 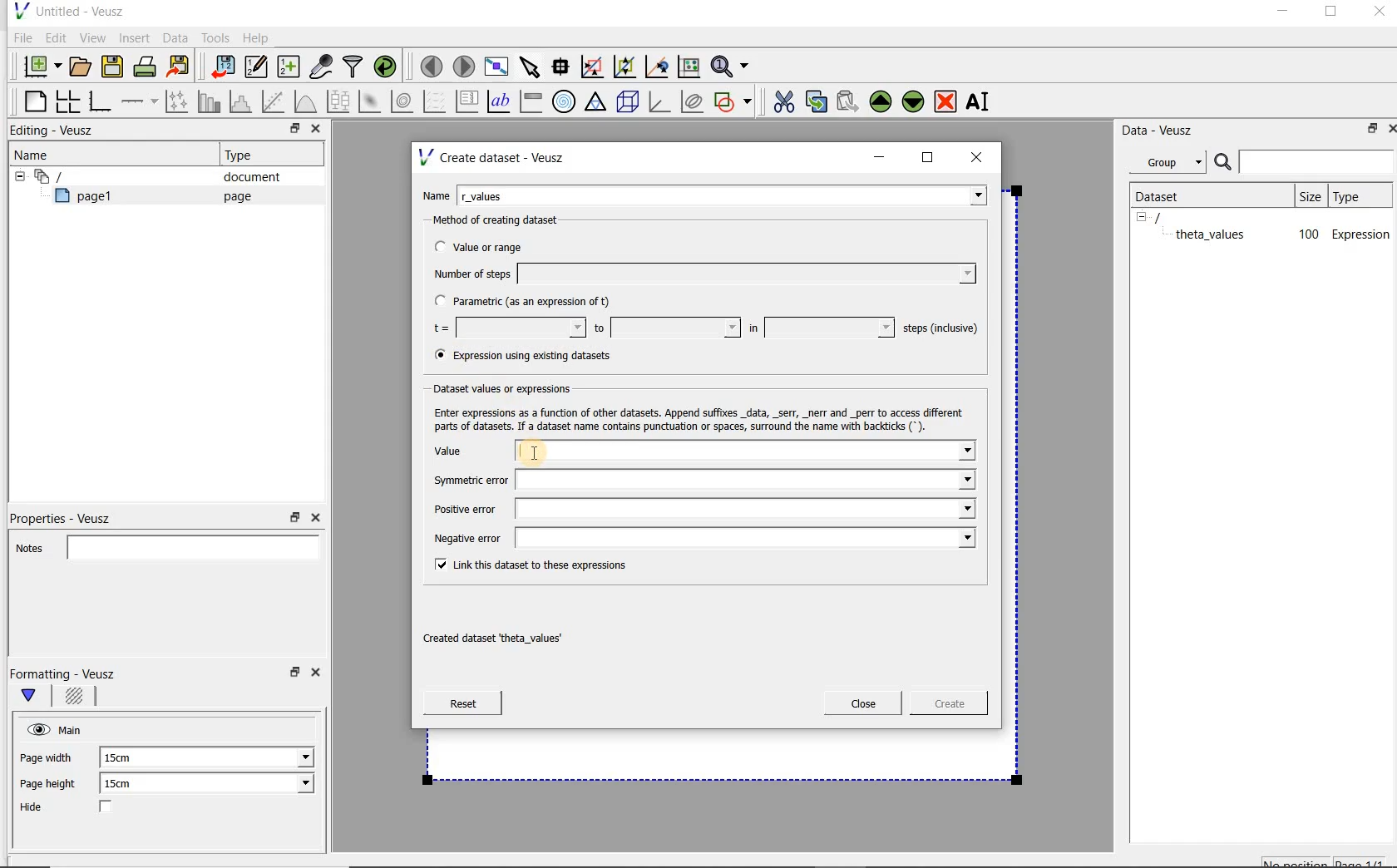 What do you see at coordinates (665, 328) in the screenshot?
I see `to` at bounding box center [665, 328].